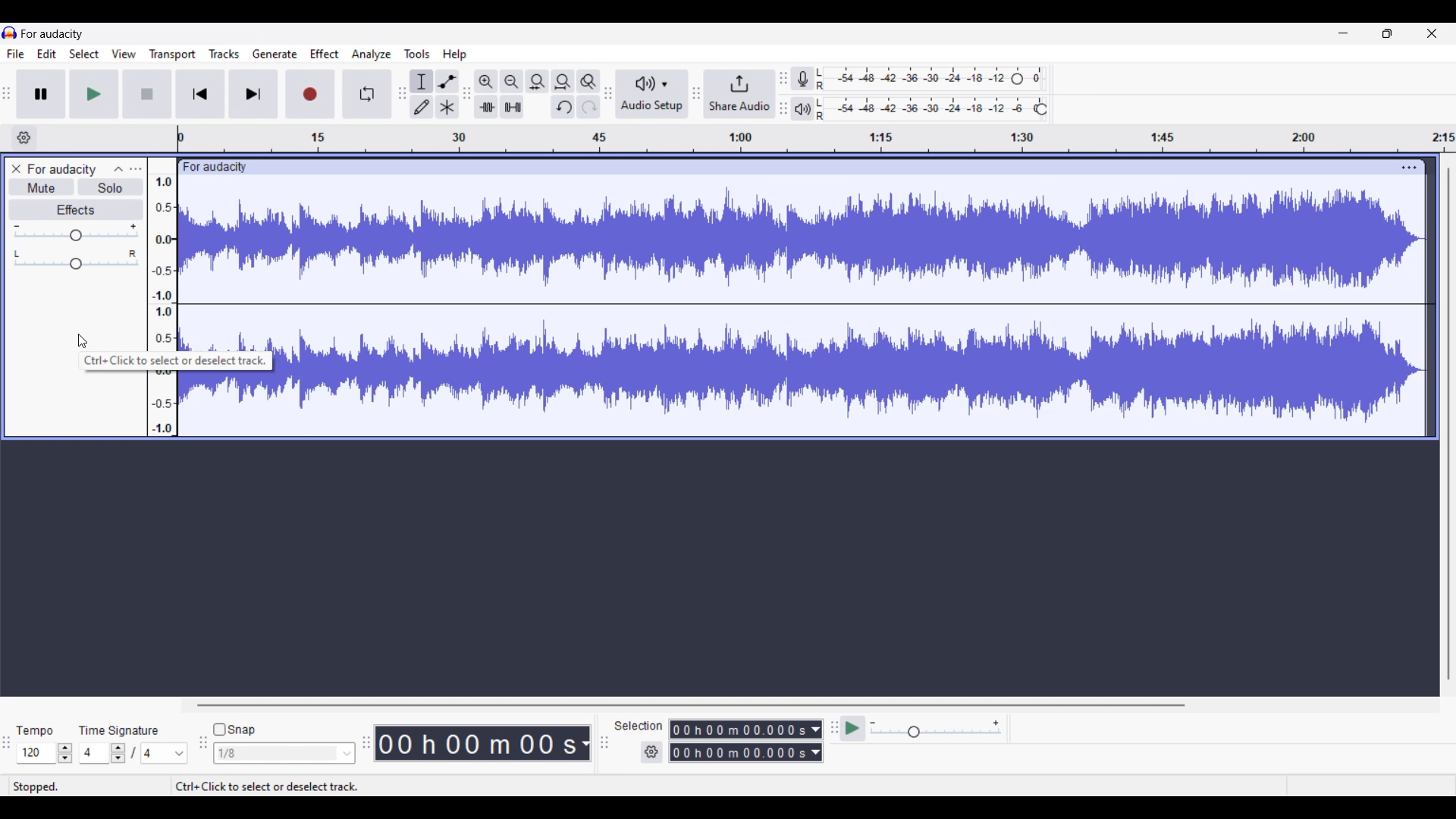  What do you see at coordinates (36, 731) in the screenshot?
I see `Indicates Tempo settings` at bounding box center [36, 731].